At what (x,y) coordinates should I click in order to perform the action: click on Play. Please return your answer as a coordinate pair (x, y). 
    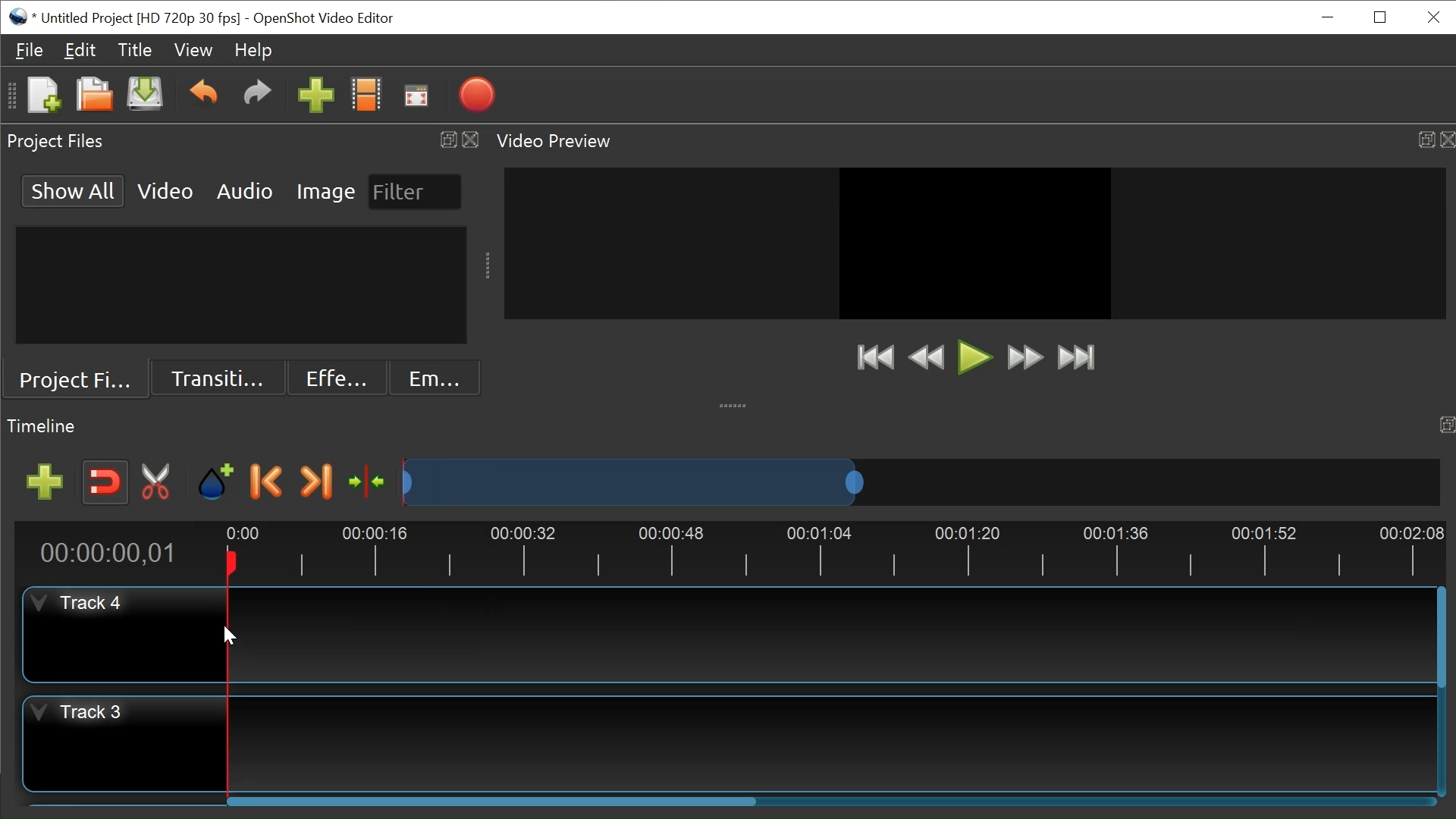
    Looking at the image, I should click on (973, 359).